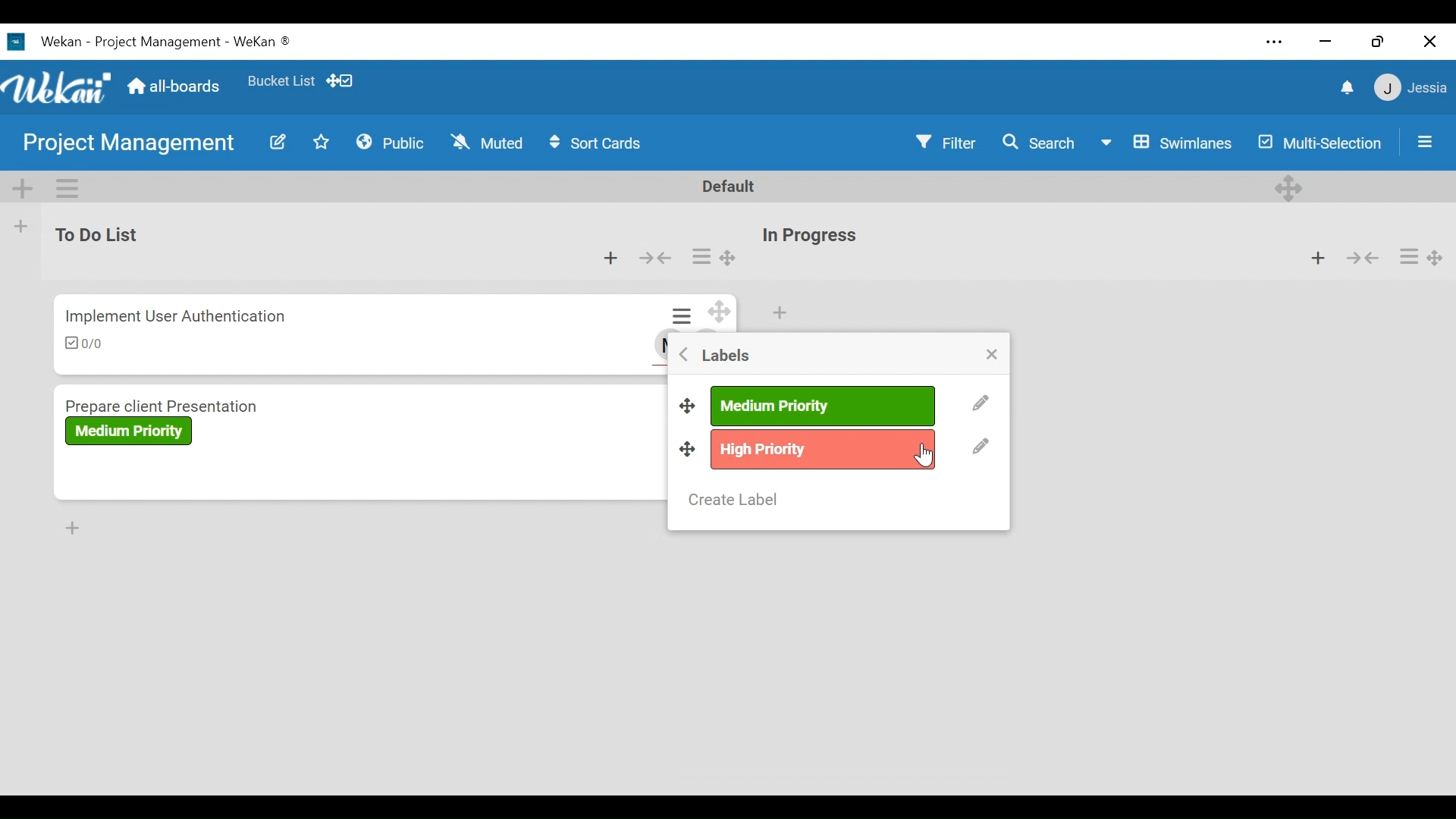 Image resolution: width=1456 pixels, height=819 pixels. I want to click on Desktop drag handles, so click(722, 312).